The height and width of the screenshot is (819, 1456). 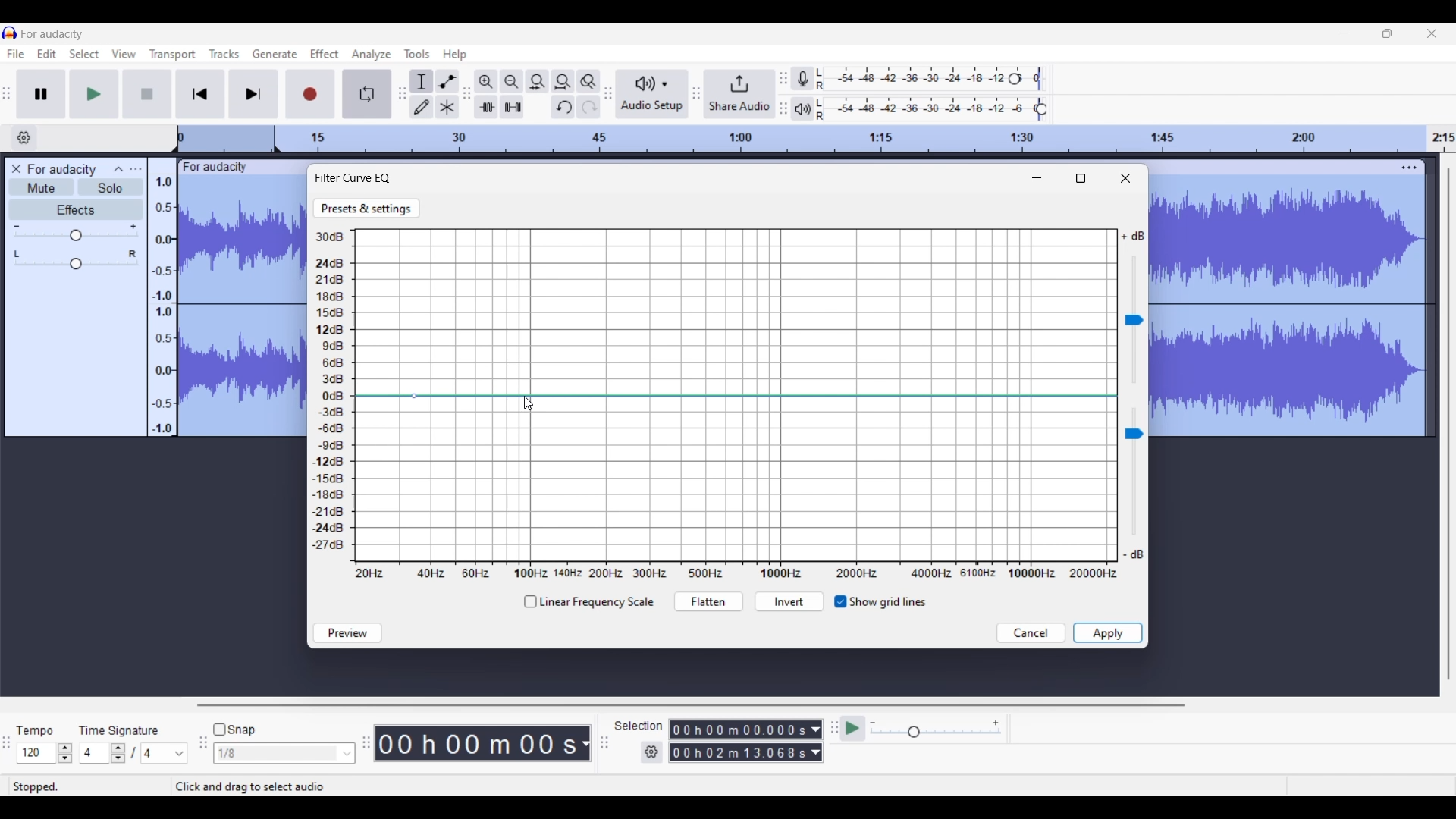 I want to click on TIme signature, so click(x=120, y=729).